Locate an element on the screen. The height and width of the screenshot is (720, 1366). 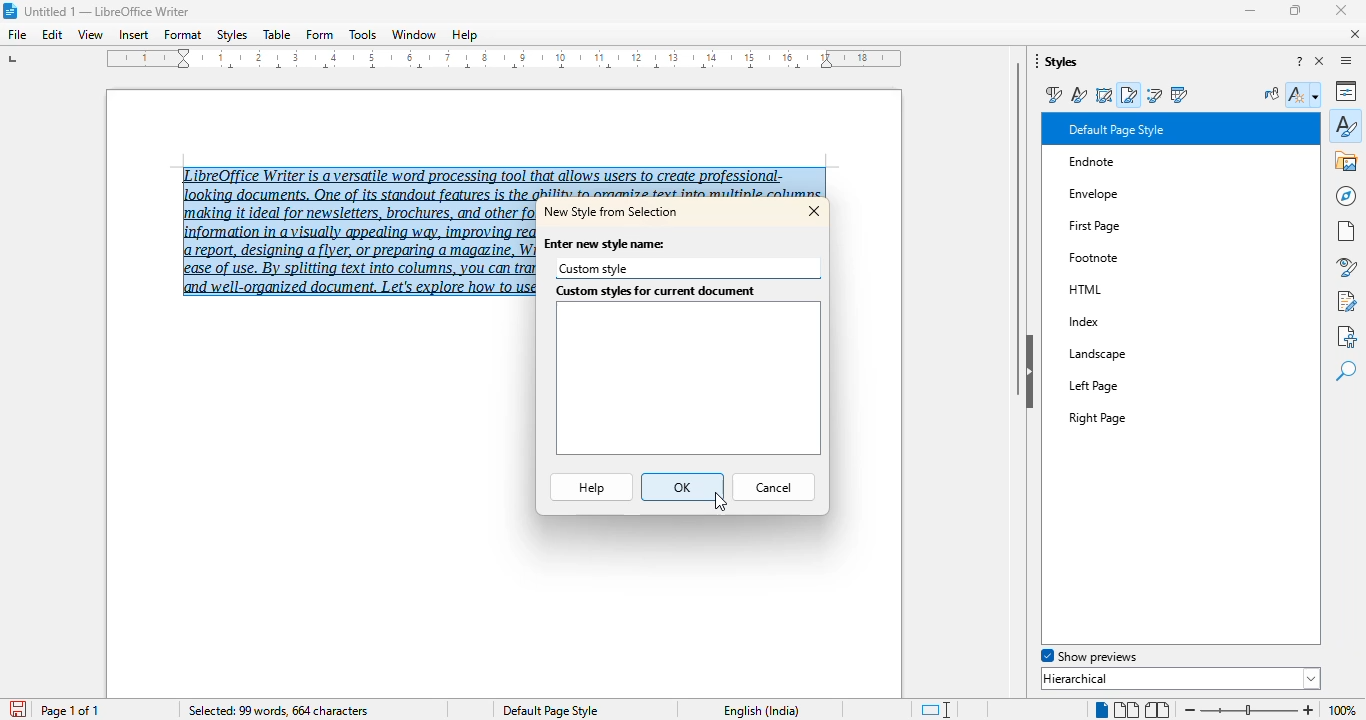
help is located at coordinates (465, 35).